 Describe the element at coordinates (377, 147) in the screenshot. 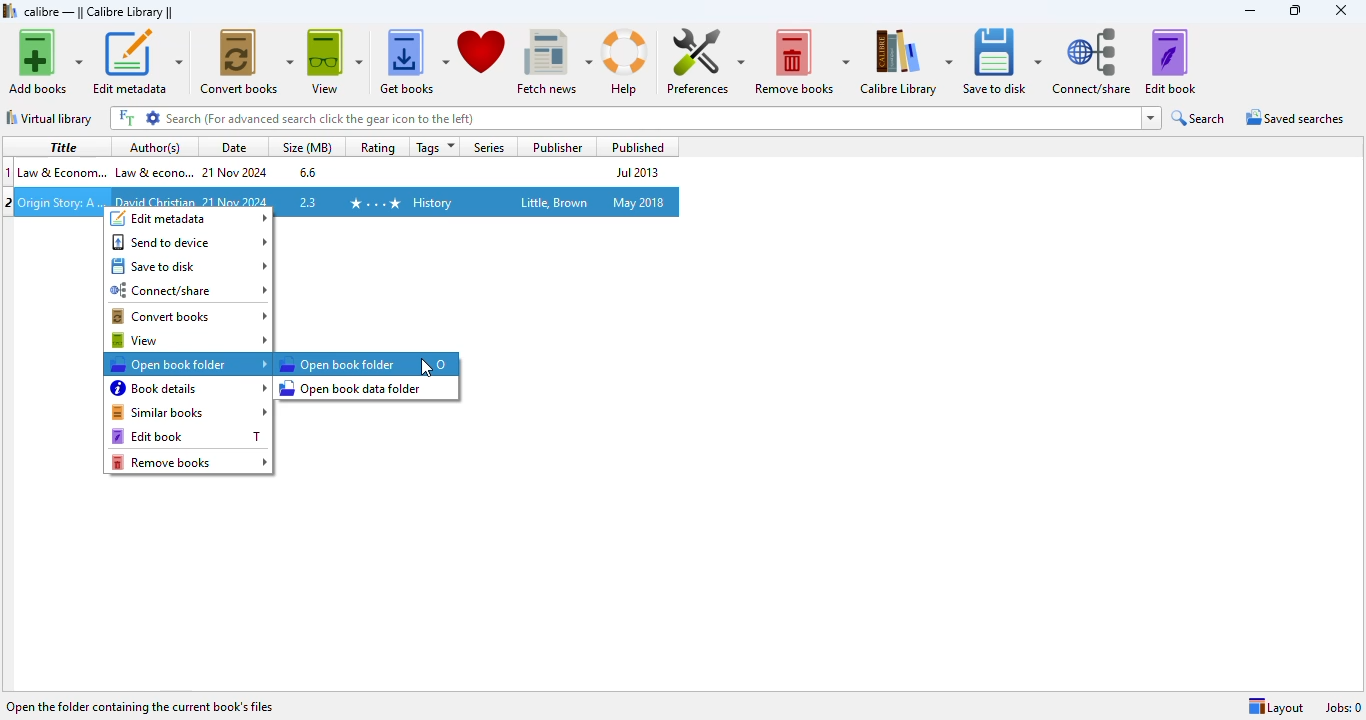

I see `rating` at that location.